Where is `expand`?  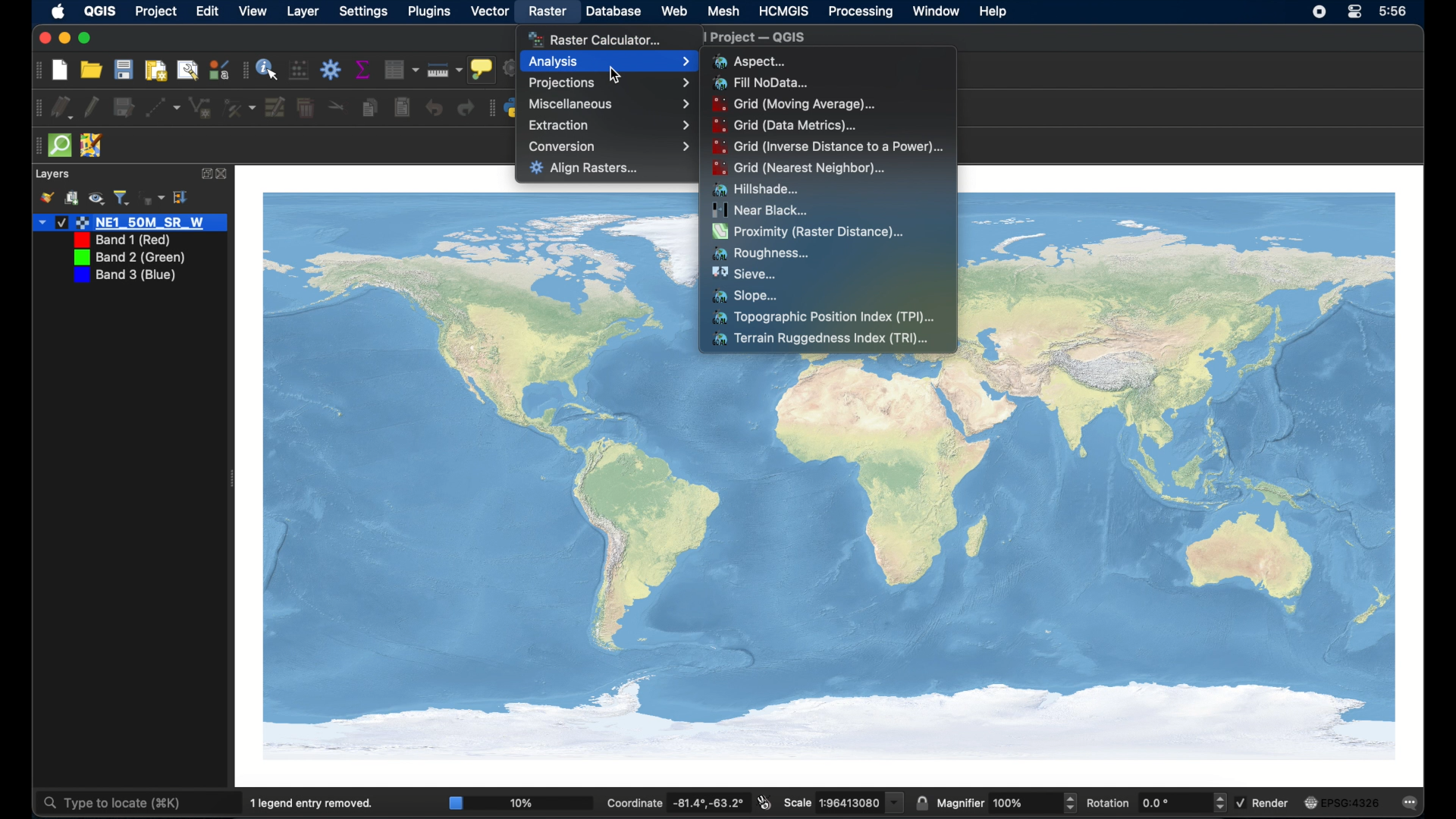
expand is located at coordinates (184, 198).